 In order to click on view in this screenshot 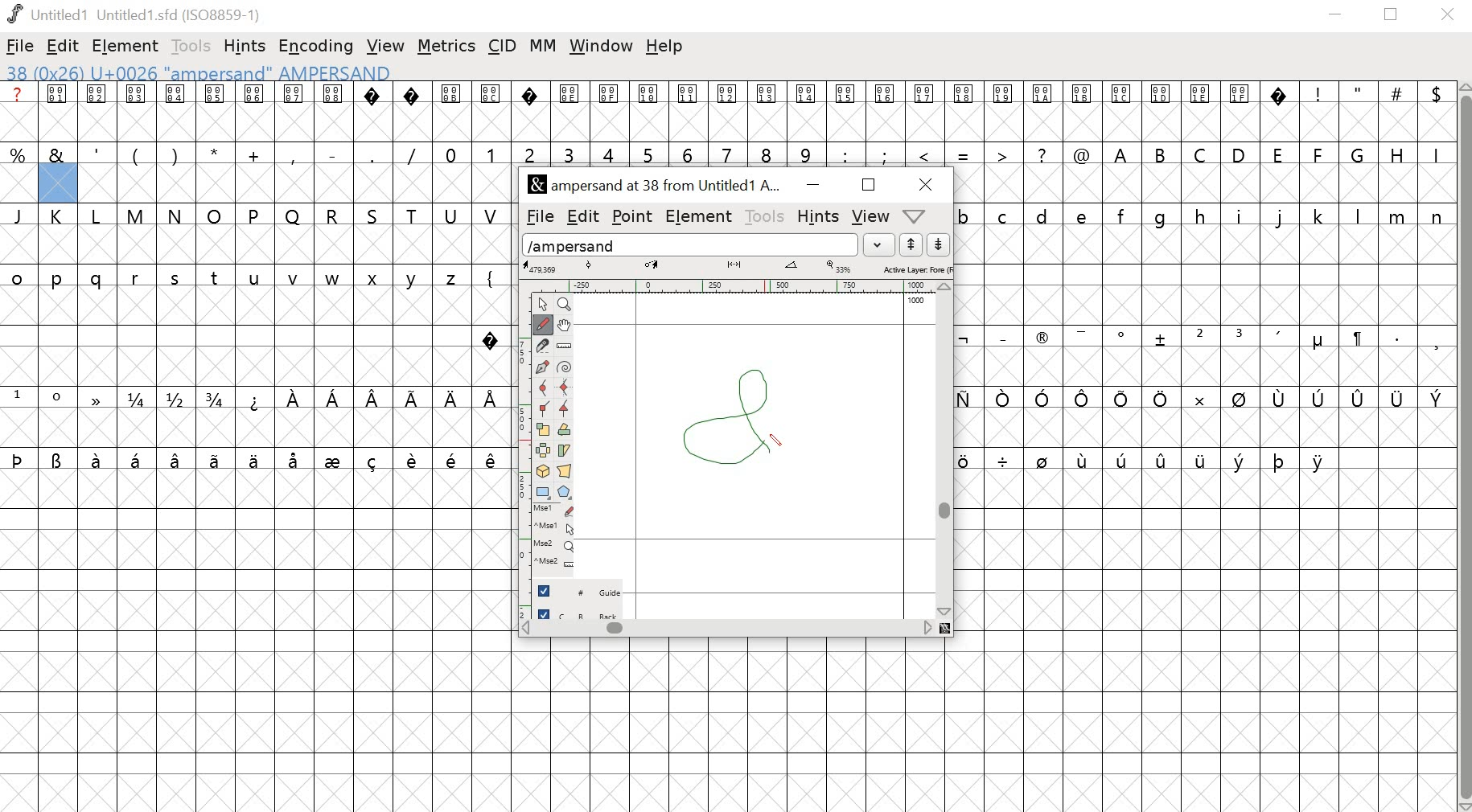, I will do `click(386, 43)`.